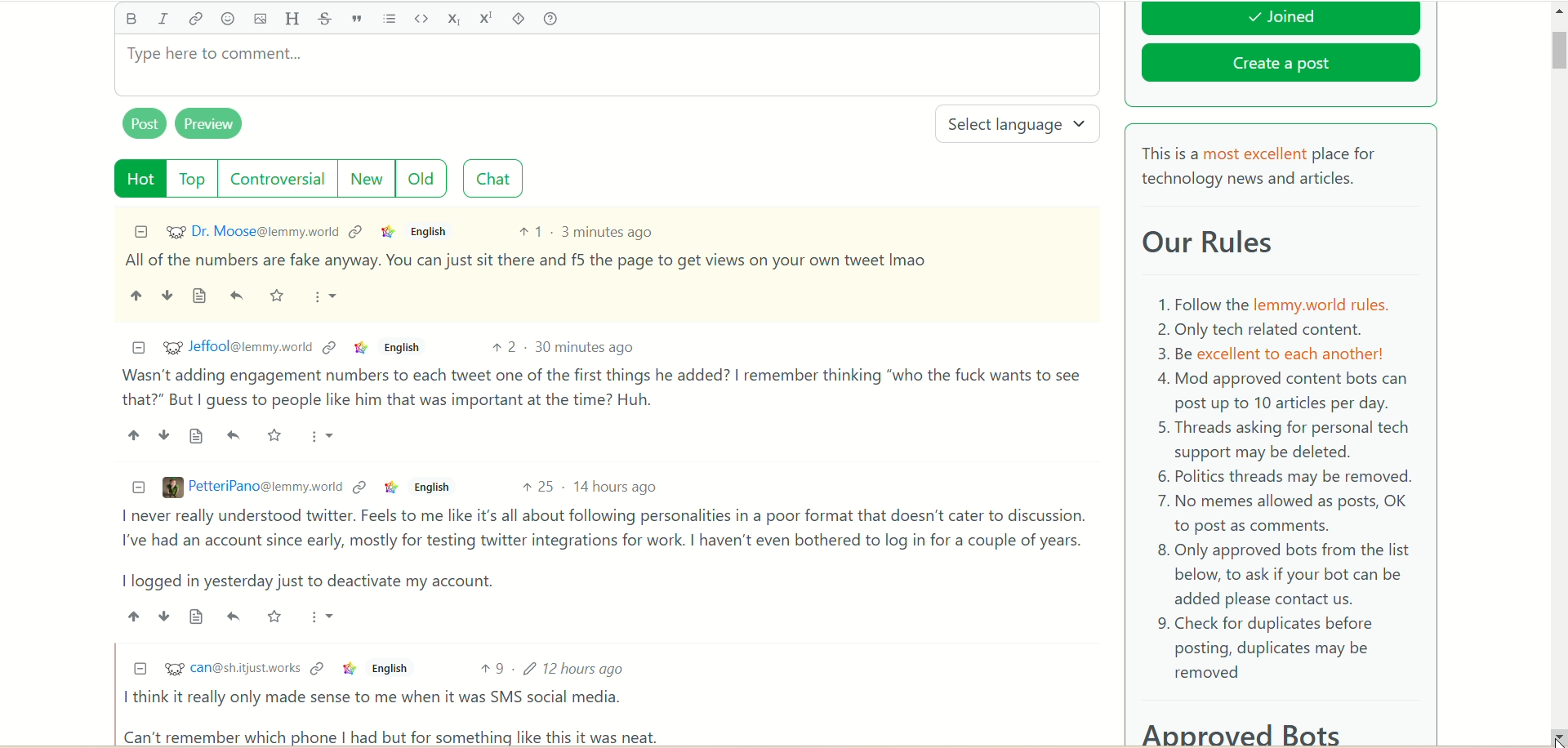  Describe the element at coordinates (537, 486) in the screenshot. I see `Upvote 25` at that location.